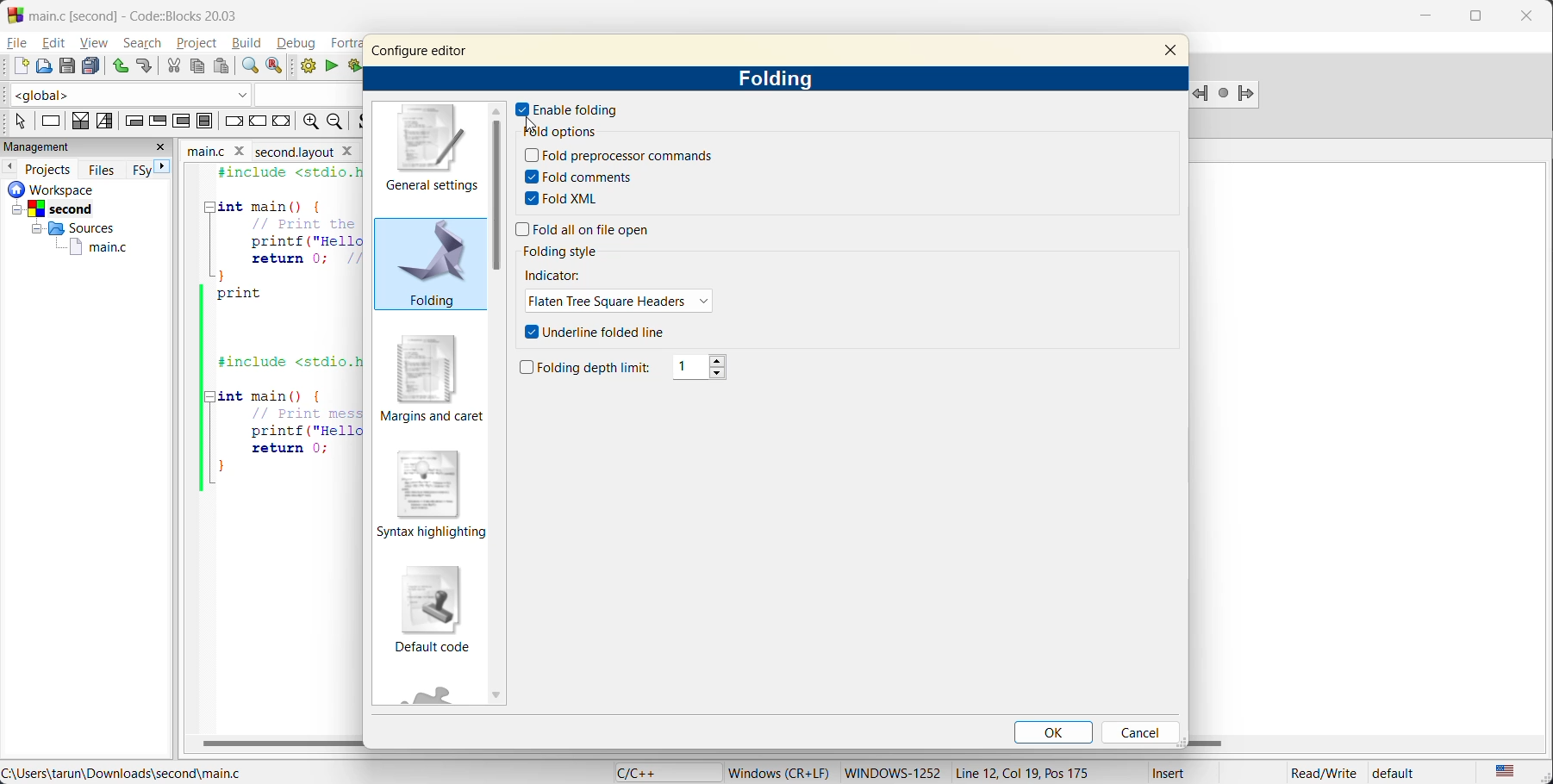 This screenshot has width=1553, height=784. I want to click on save, so click(68, 65).